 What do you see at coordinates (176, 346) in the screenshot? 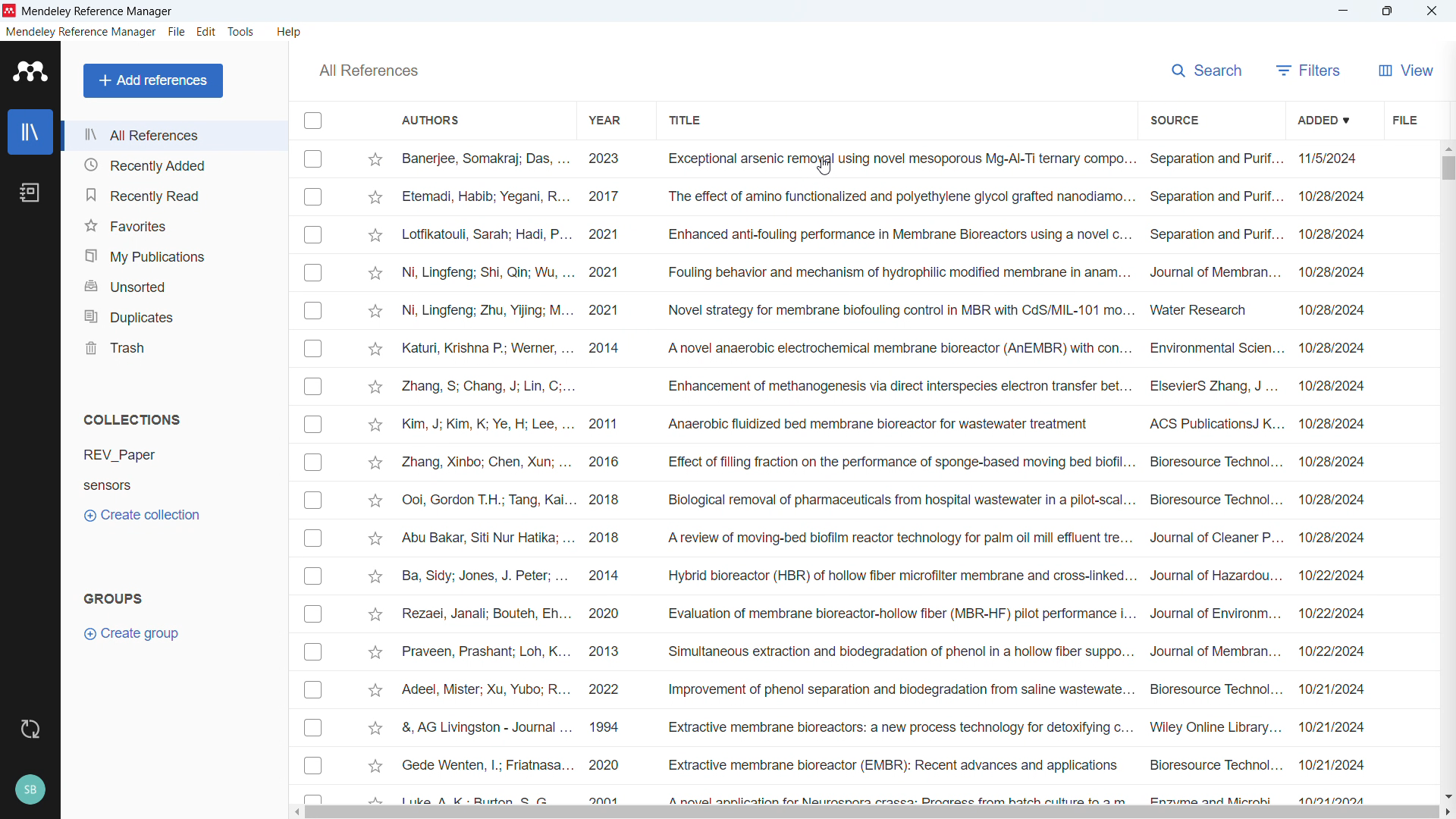
I see `trash` at bounding box center [176, 346].